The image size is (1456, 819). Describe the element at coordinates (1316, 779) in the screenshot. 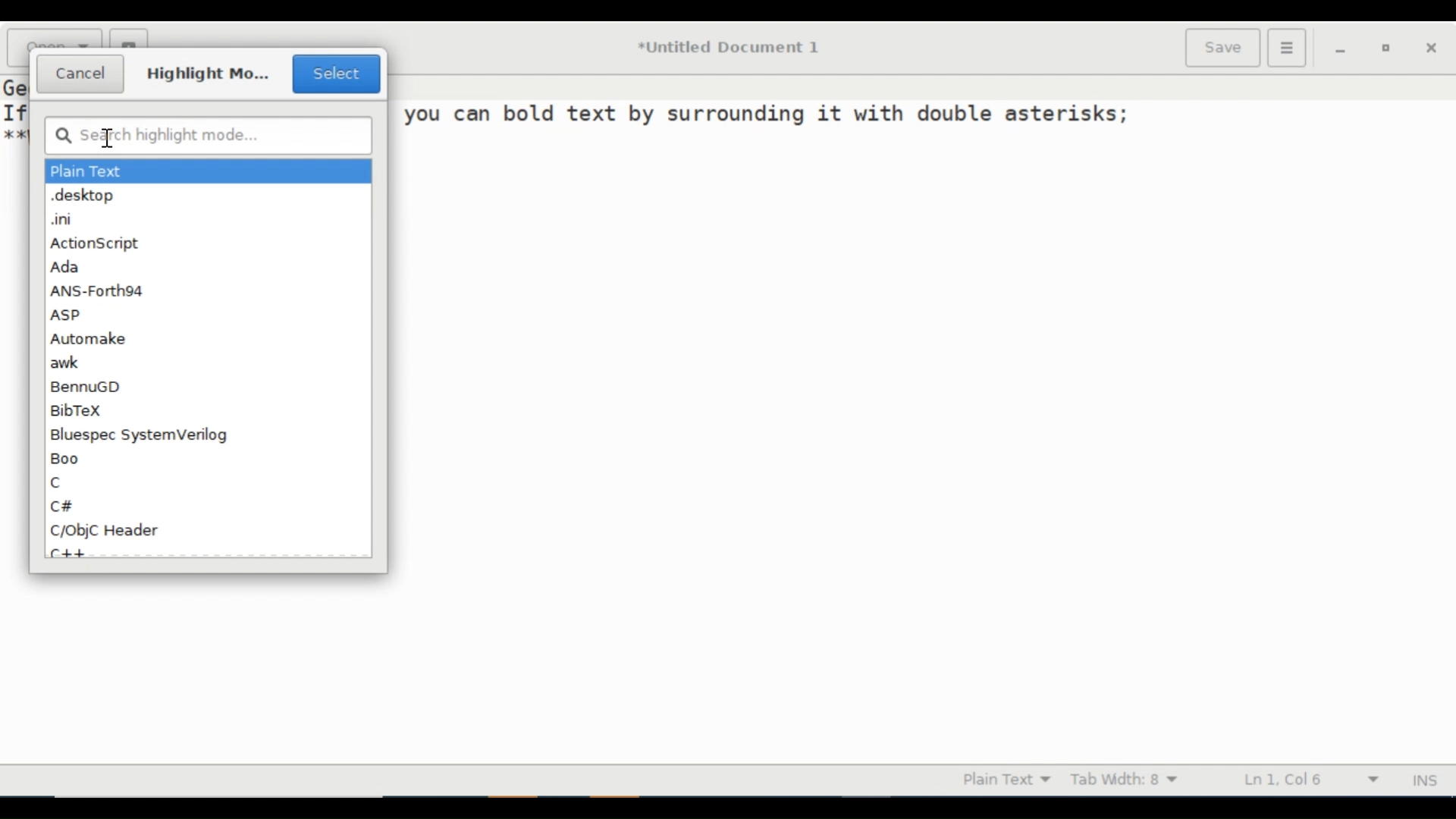

I see `Line & Column Preference` at that location.